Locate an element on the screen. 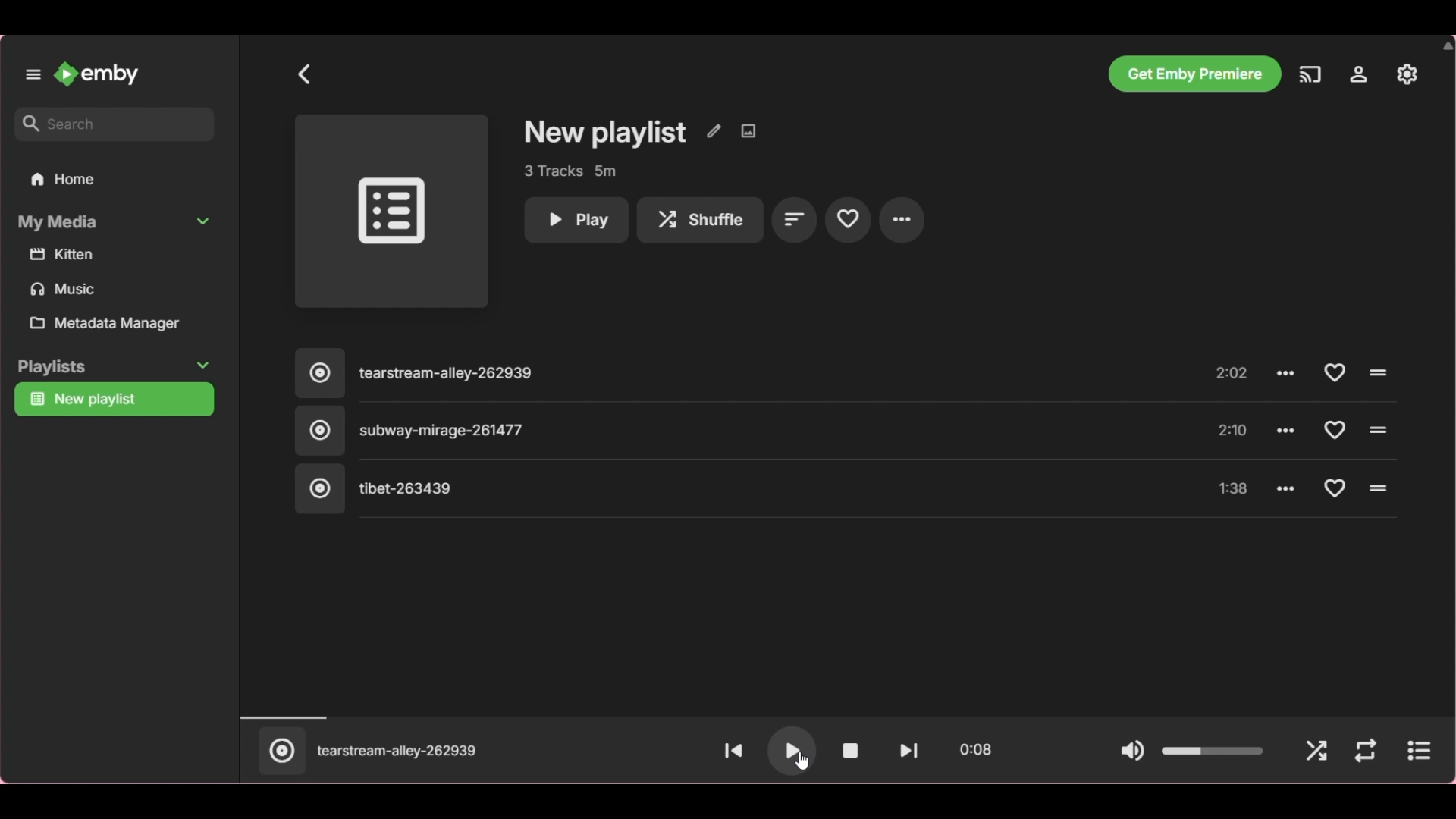 This screenshot has width=1456, height=819. Media files is located at coordinates (118, 273).